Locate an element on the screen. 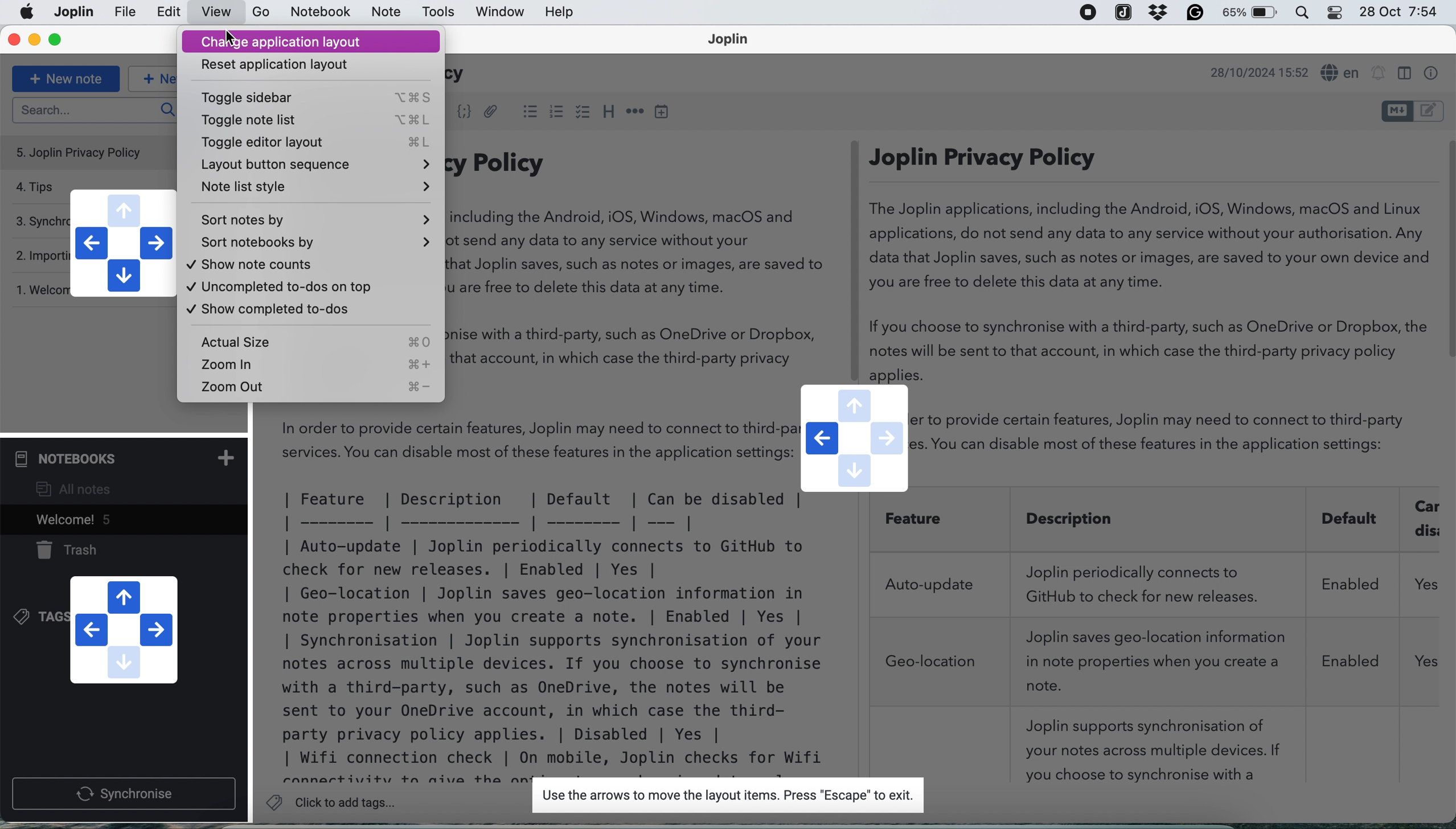 This screenshot has width=1456, height=829. zoom in is located at coordinates (314, 364).